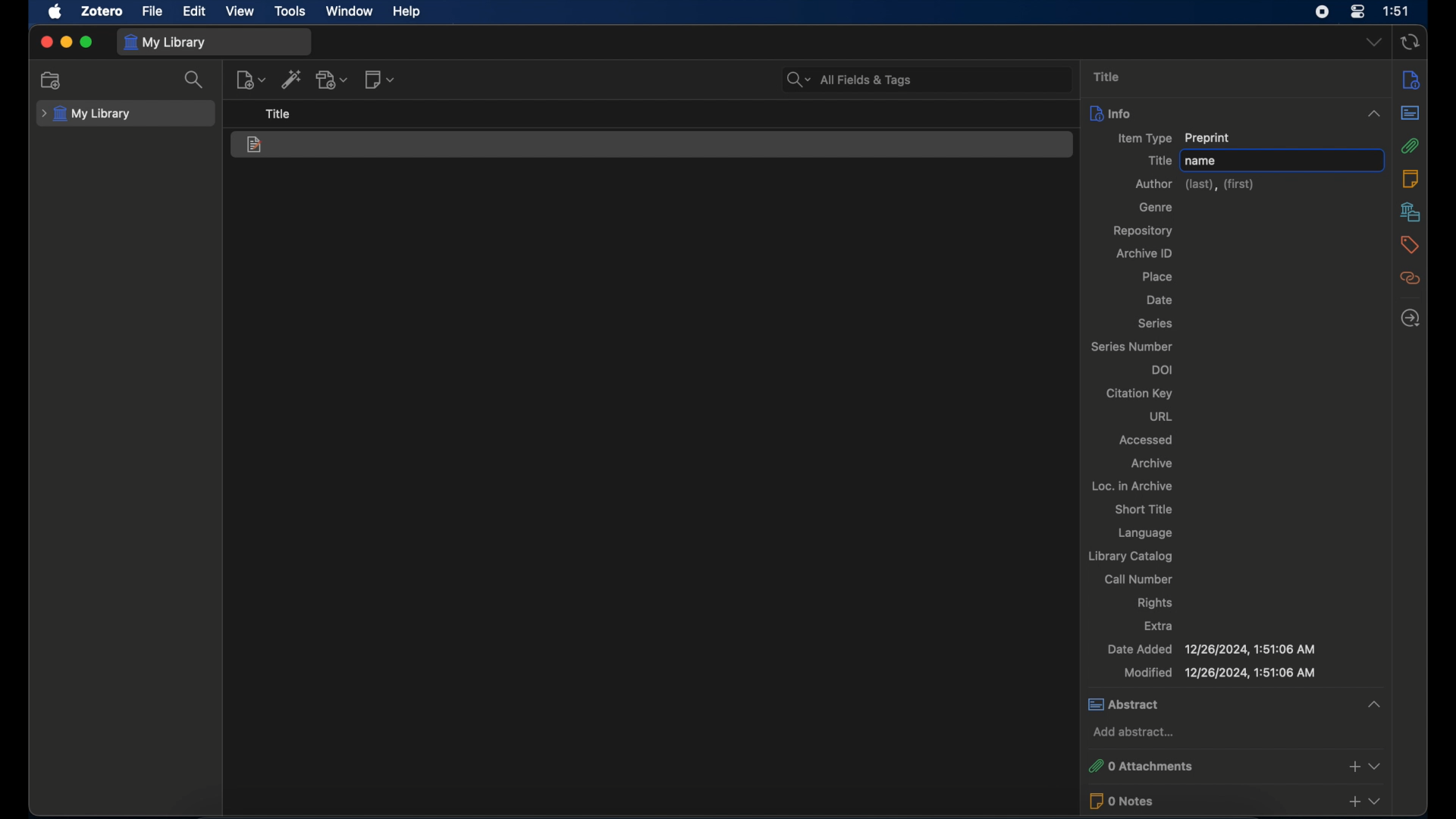  I want to click on 0 notes, so click(1235, 801).